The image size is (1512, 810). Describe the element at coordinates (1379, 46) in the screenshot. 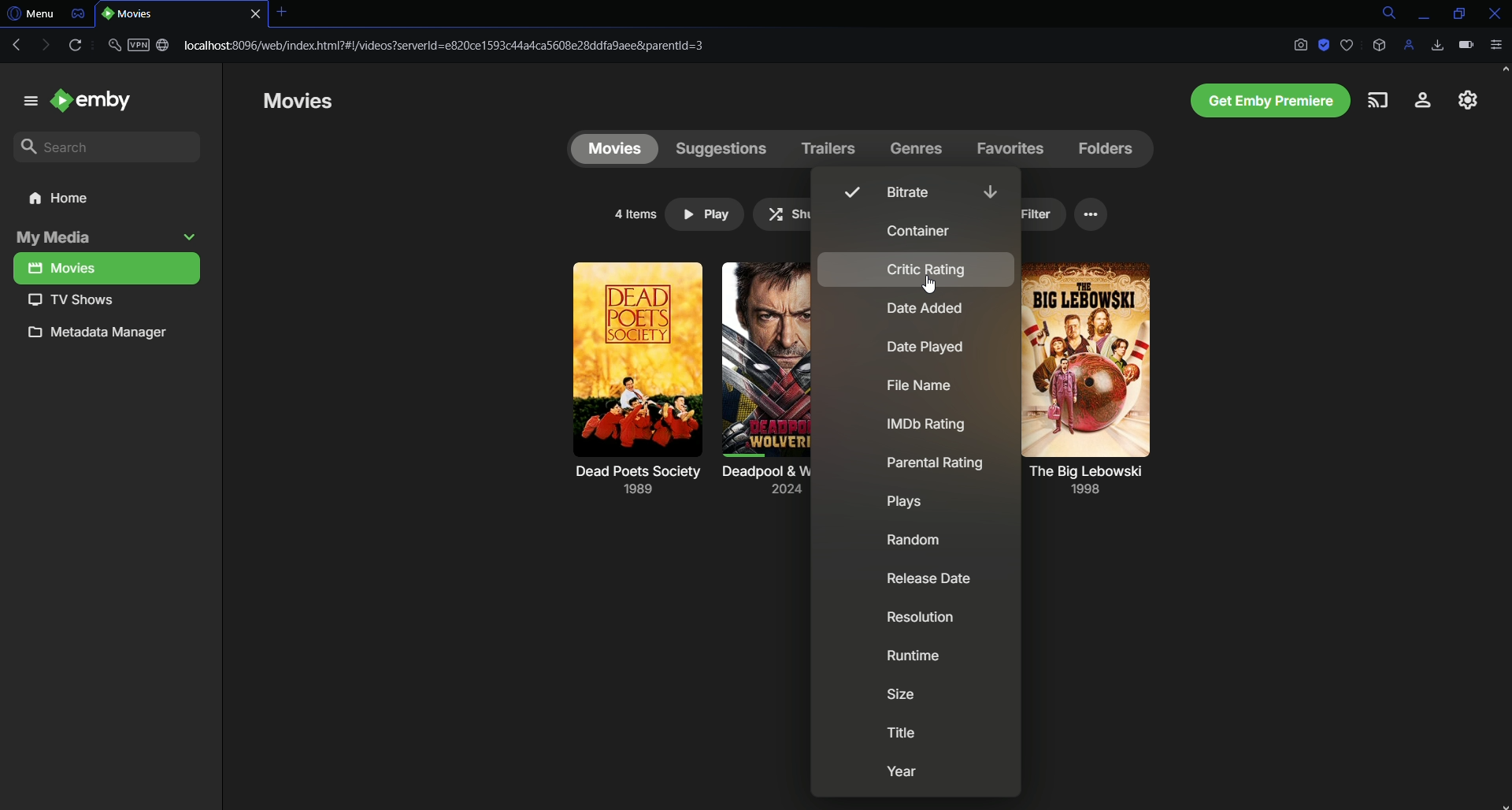

I see `Extensions` at that location.